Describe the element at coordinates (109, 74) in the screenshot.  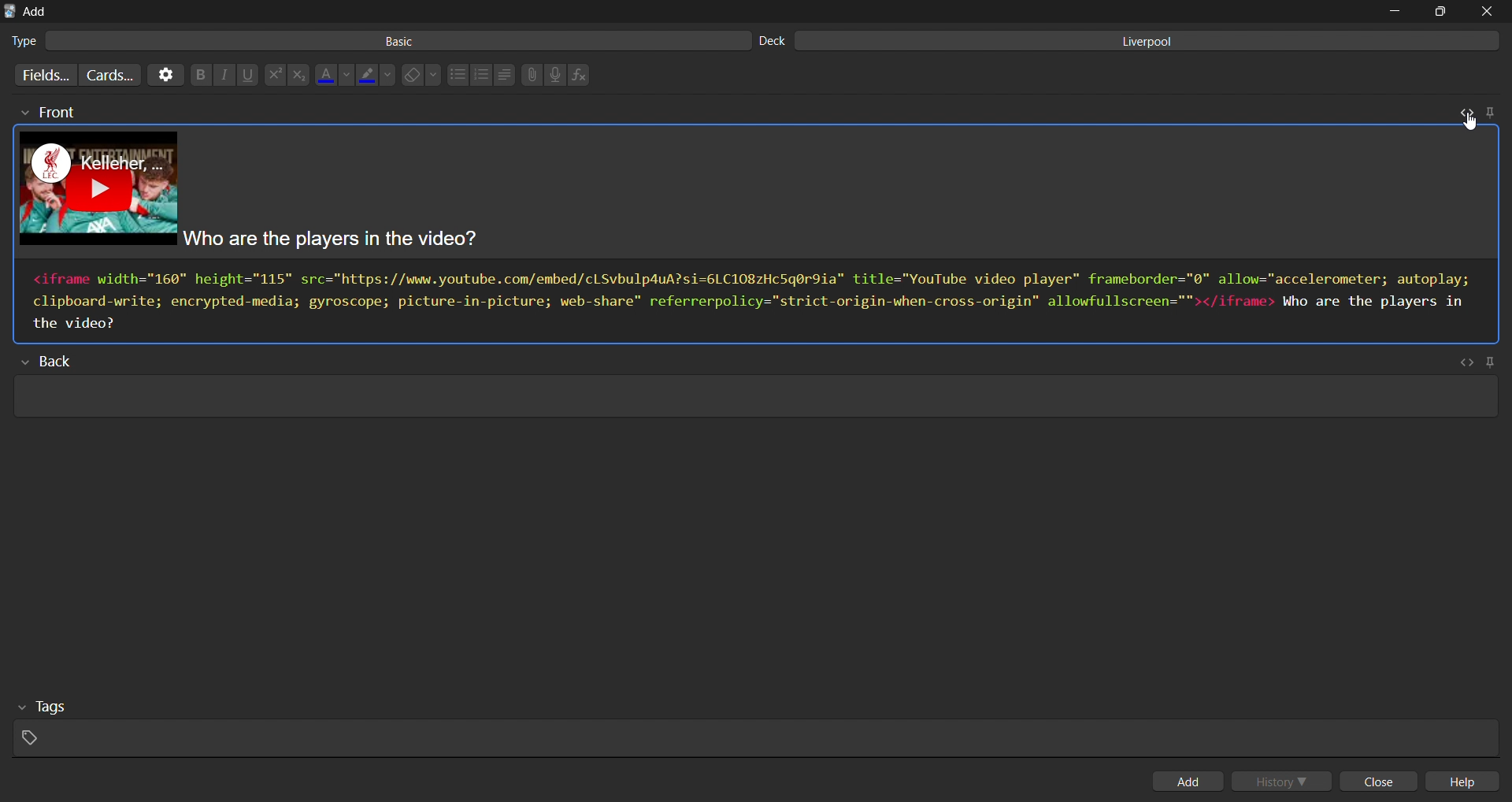
I see `customize card templates` at that location.